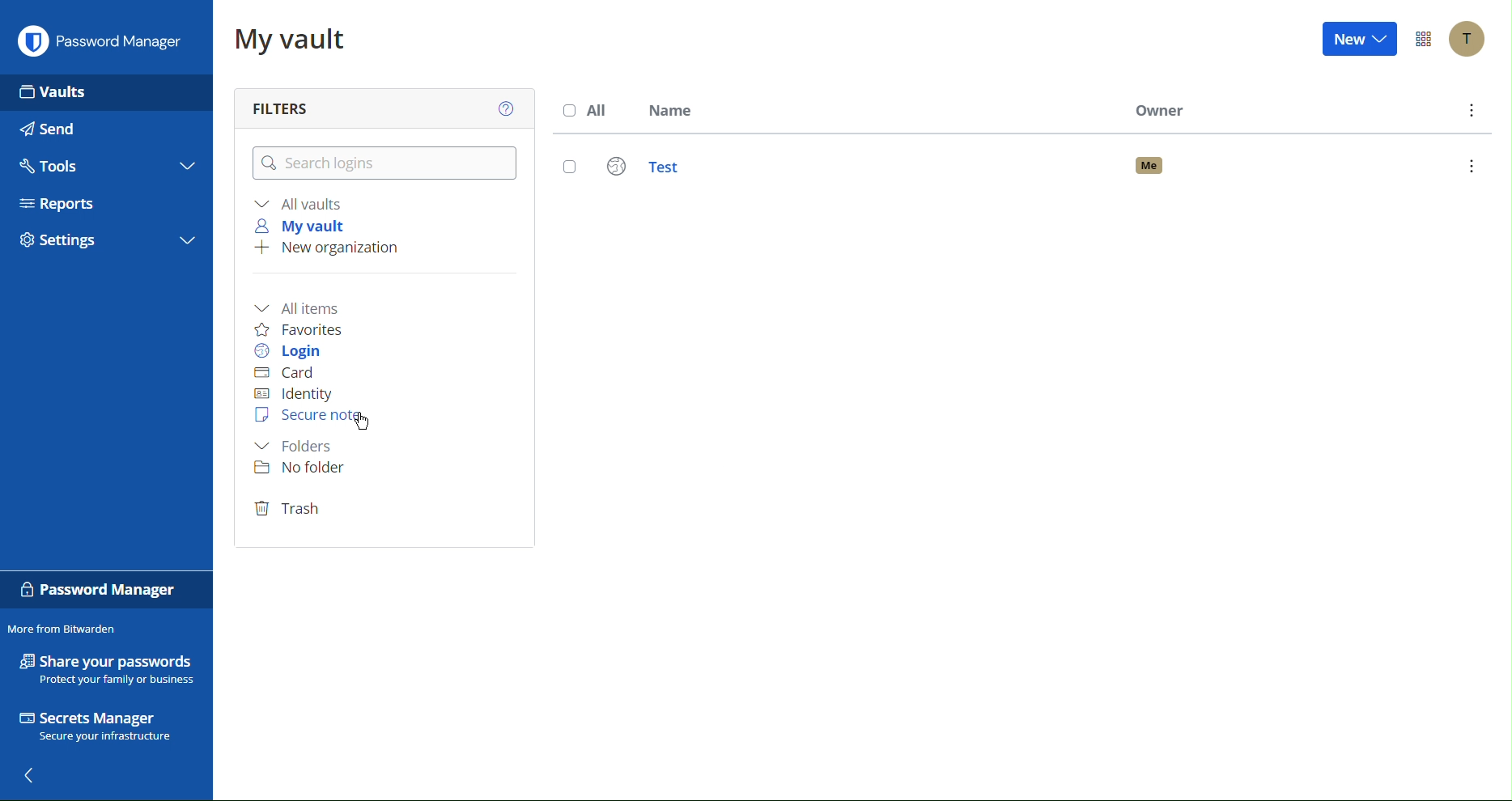  What do you see at coordinates (35, 778) in the screenshot?
I see `Back` at bounding box center [35, 778].